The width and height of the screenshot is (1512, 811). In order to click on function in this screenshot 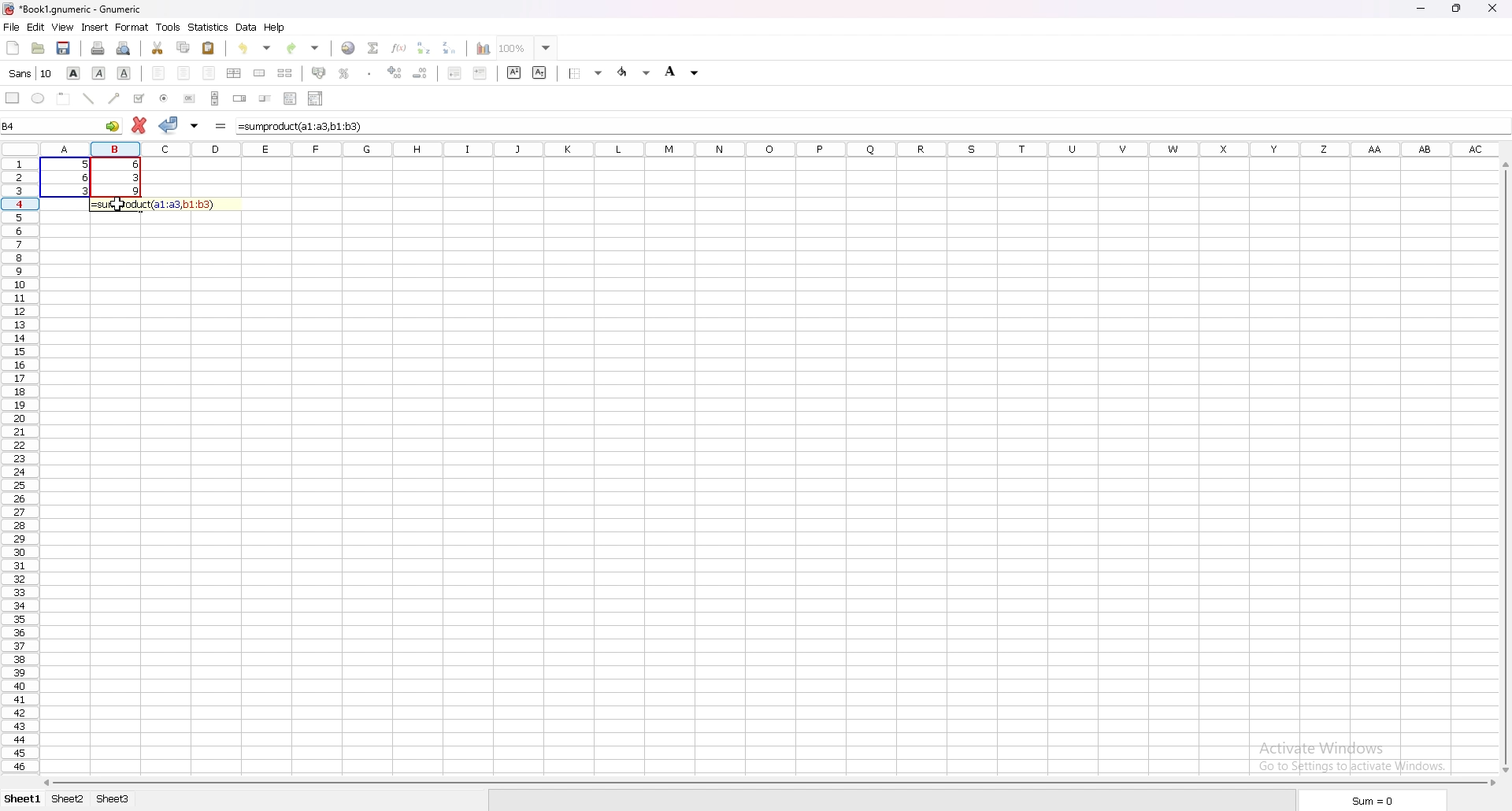, I will do `click(399, 47)`.